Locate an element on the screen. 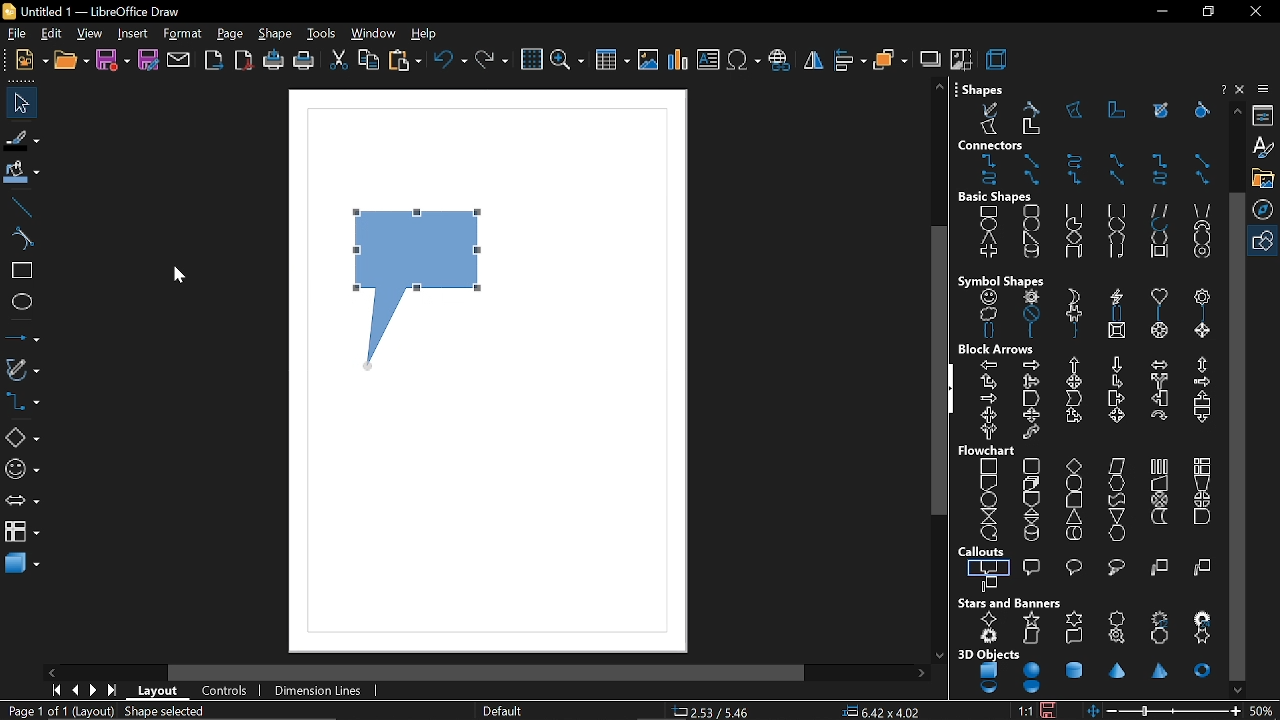  straight connector is located at coordinates (1201, 161).